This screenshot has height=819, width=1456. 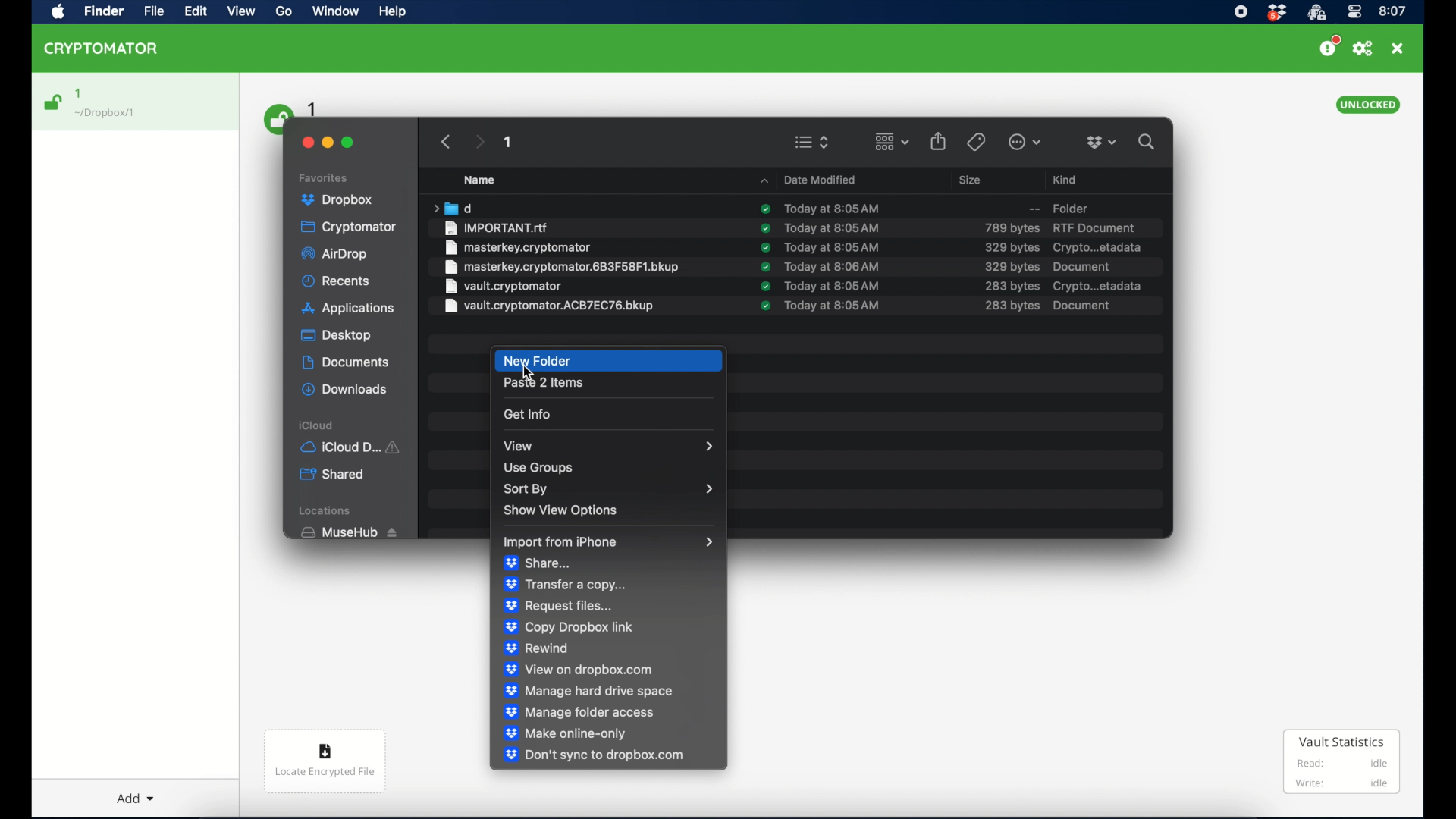 I want to click on date, so click(x=833, y=266).